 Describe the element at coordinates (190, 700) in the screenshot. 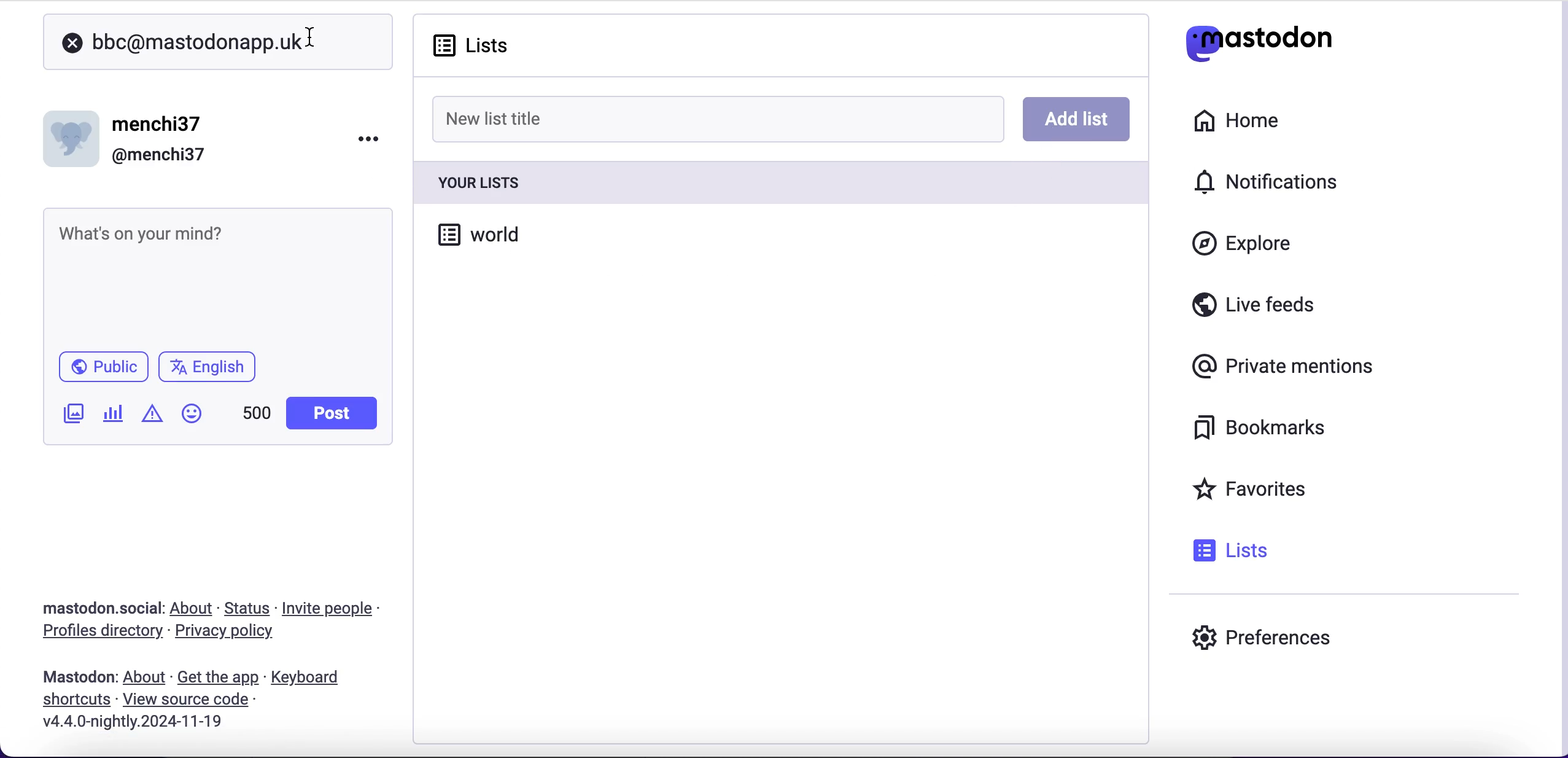

I see `view source code` at that location.